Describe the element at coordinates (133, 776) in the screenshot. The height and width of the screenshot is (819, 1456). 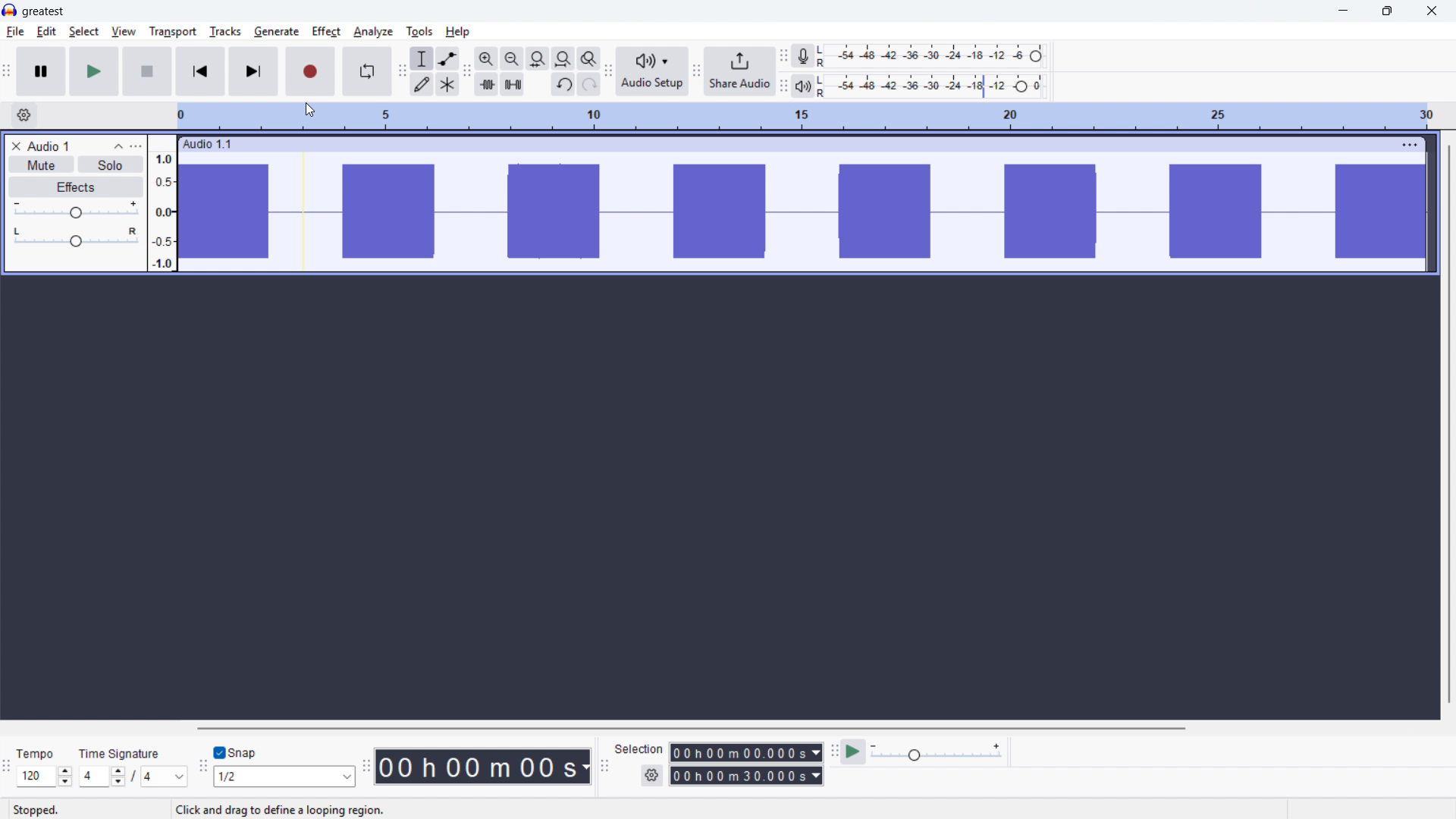
I see `Set time signature ` at that location.